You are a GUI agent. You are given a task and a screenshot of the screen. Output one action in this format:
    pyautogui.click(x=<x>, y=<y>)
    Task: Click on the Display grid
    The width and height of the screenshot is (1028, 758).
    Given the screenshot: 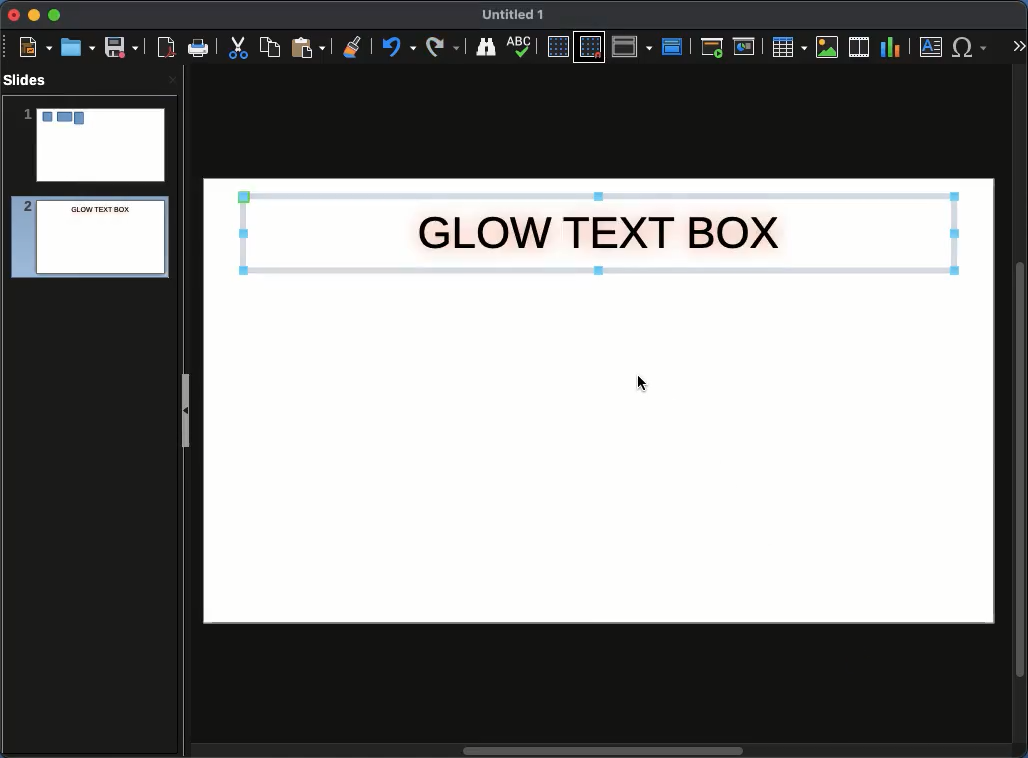 What is the action you would take?
    pyautogui.click(x=557, y=48)
    